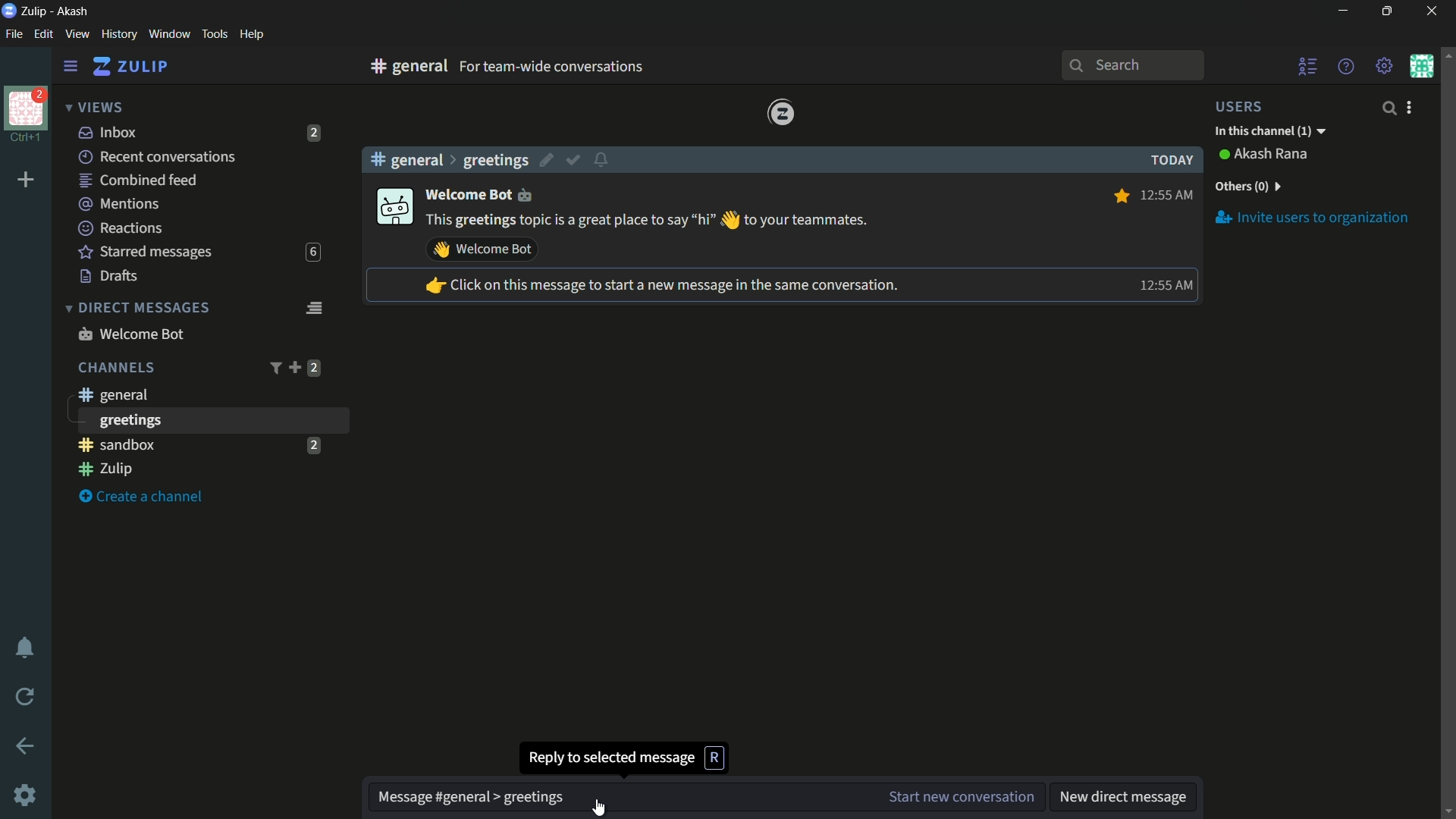 The image size is (1456, 819). I want to click on user list, so click(1309, 66).